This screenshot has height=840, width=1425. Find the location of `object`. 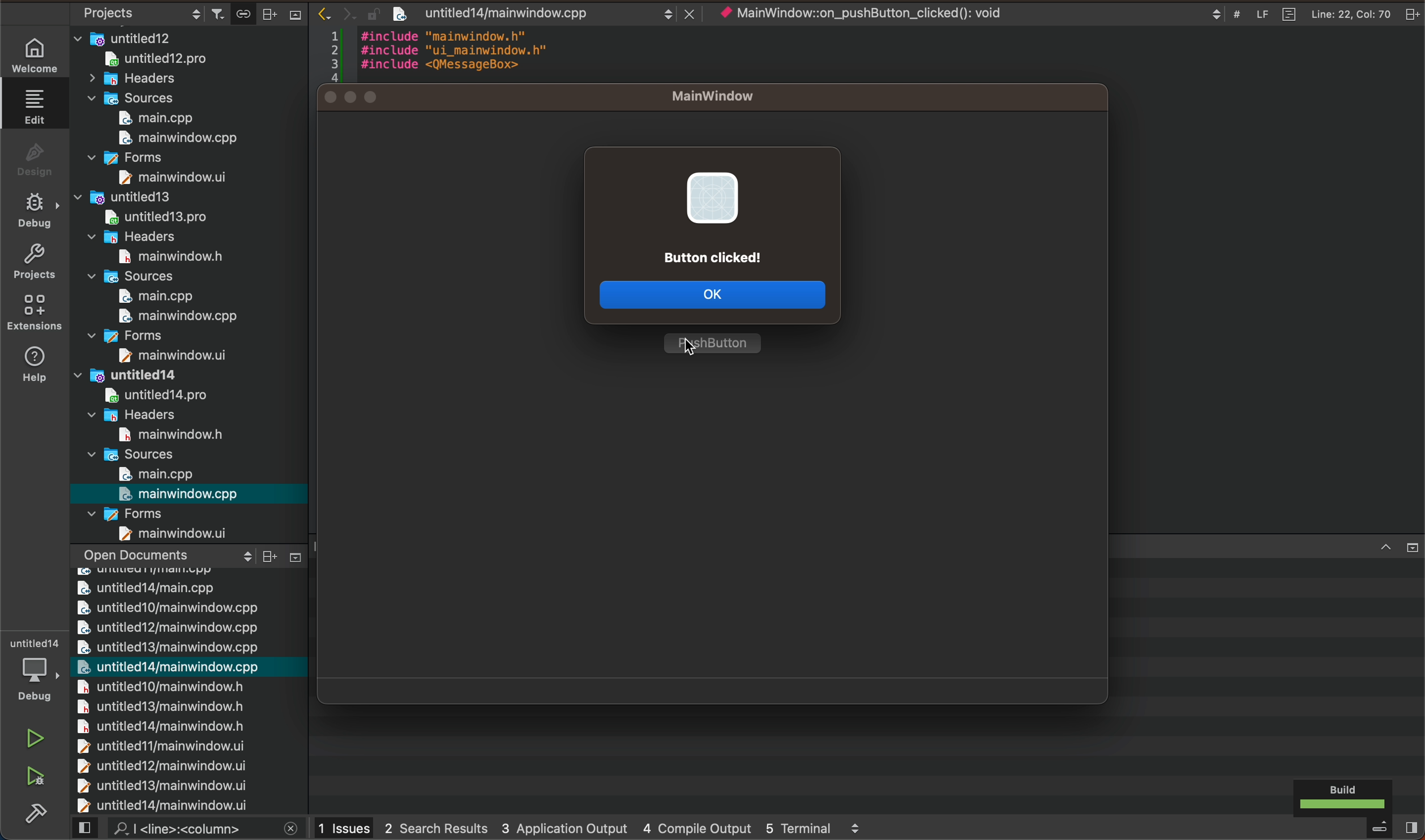

object is located at coordinates (879, 13).